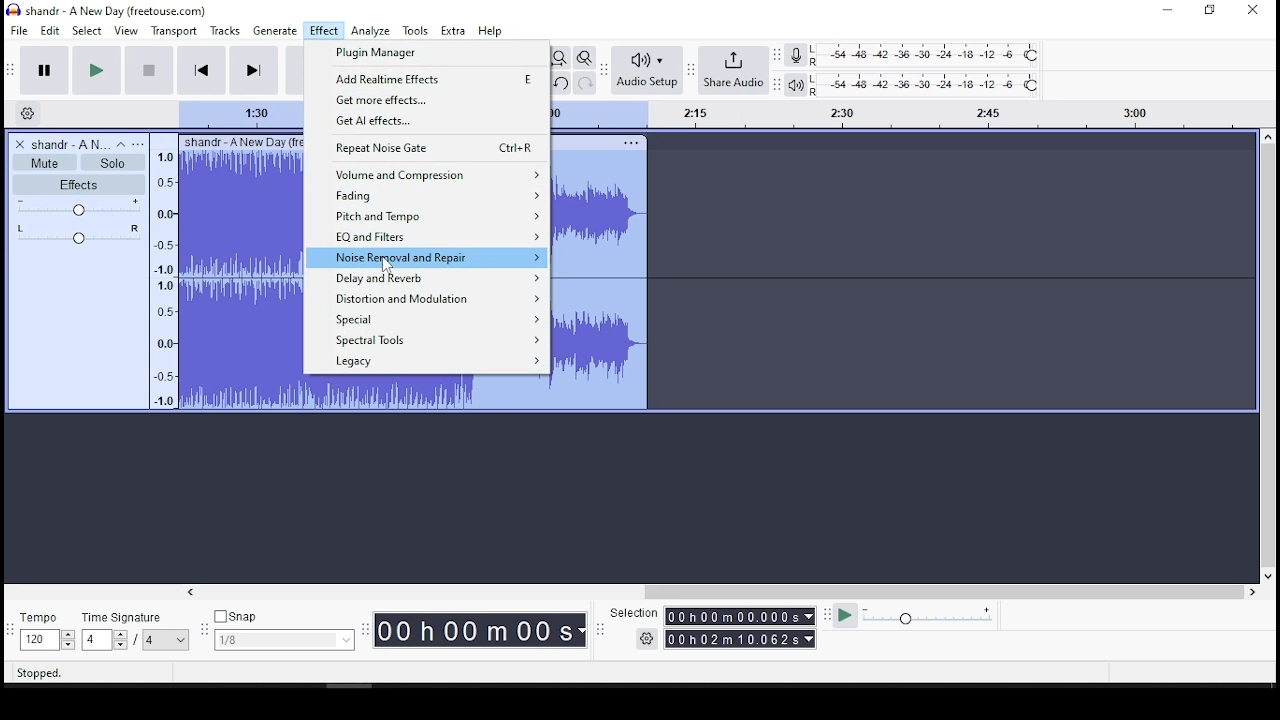 This screenshot has width=1280, height=720. What do you see at coordinates (79, 185) in the screenshot?
I see `effects` at bounding box center [79, 185].